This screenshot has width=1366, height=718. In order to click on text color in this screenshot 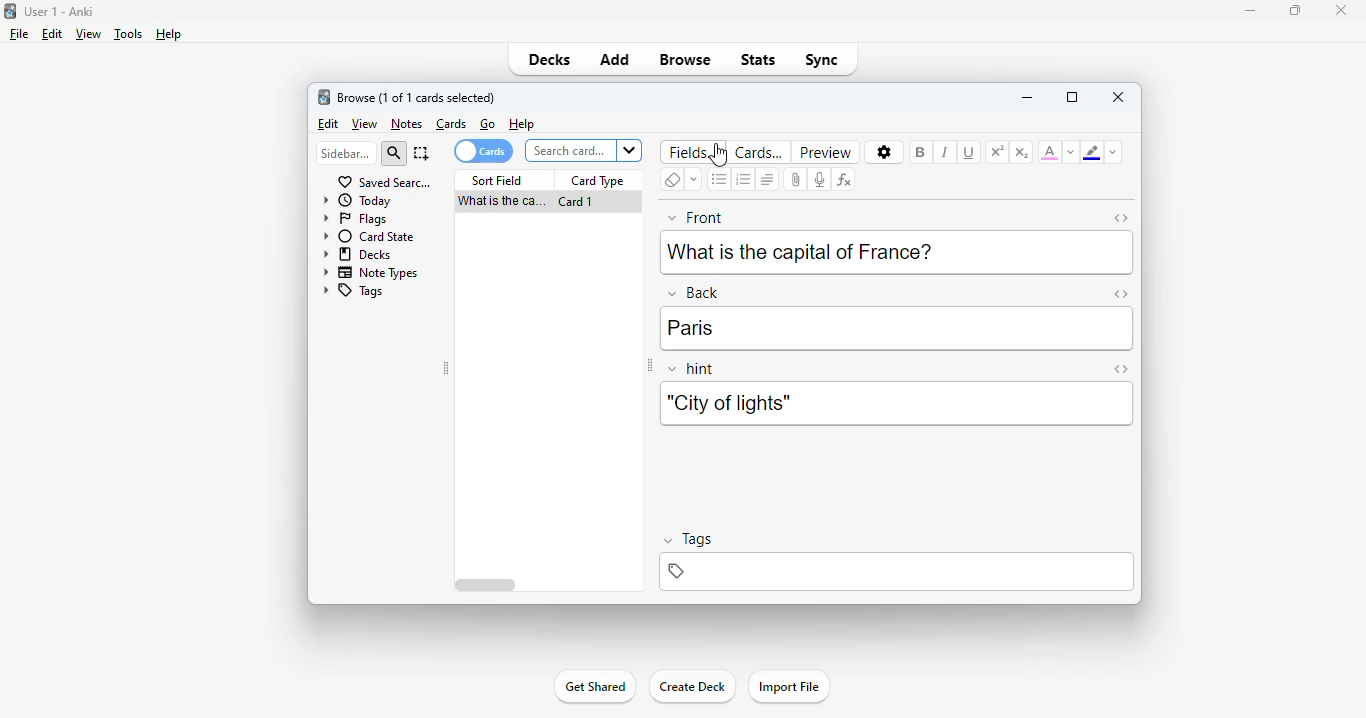, I will do `click(1050, 151)`.